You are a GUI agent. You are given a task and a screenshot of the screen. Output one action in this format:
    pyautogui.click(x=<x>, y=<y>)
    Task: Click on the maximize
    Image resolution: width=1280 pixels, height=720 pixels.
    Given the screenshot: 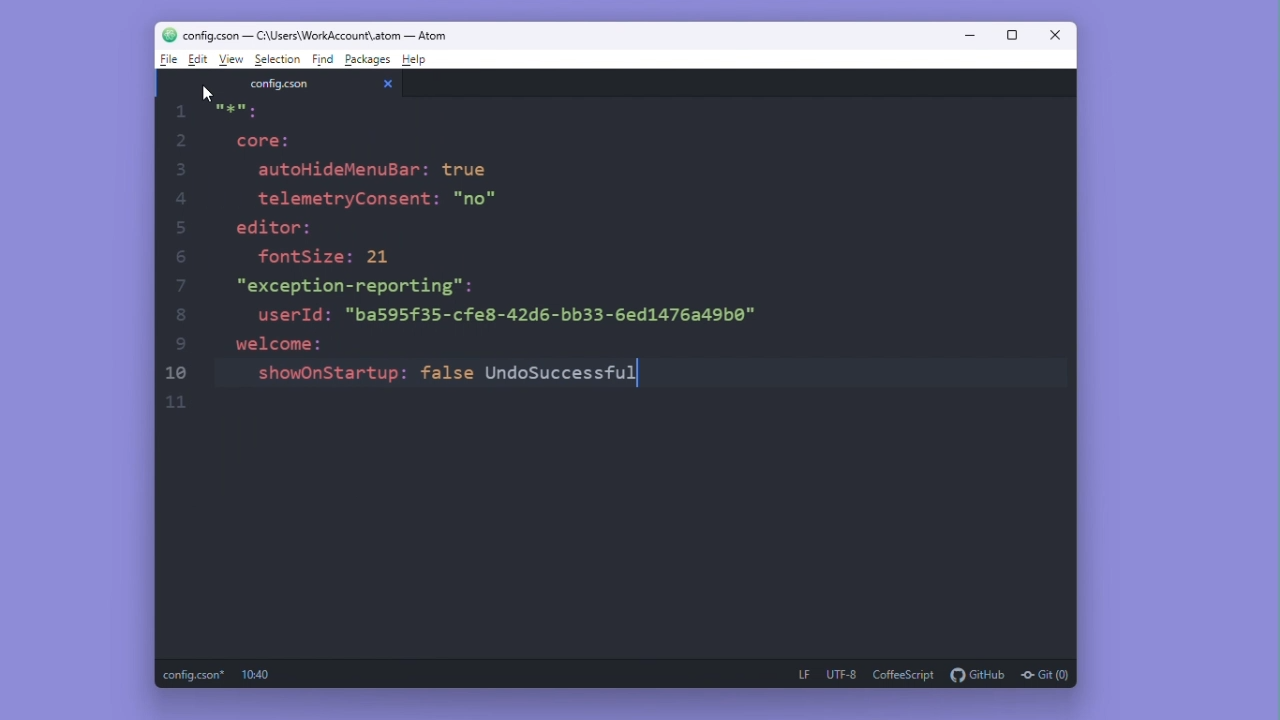 What is the action you would take?
    pyautogui.click(x=1017, y=34)
    